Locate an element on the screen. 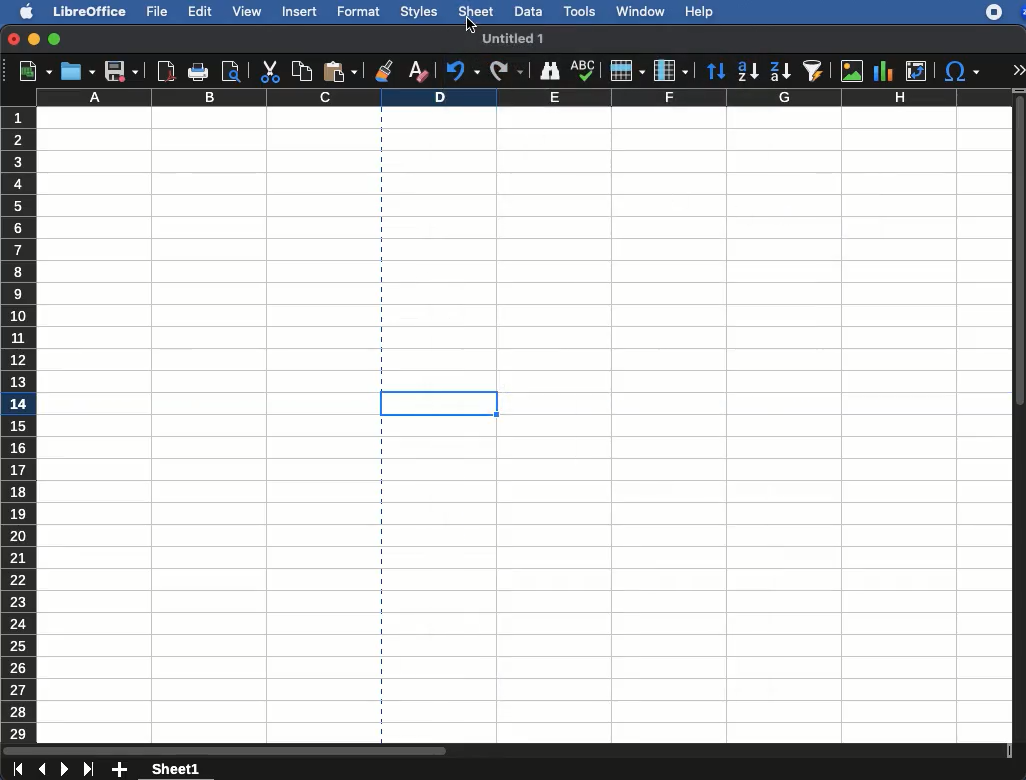  break deleted is located at coordinates (529, 394).